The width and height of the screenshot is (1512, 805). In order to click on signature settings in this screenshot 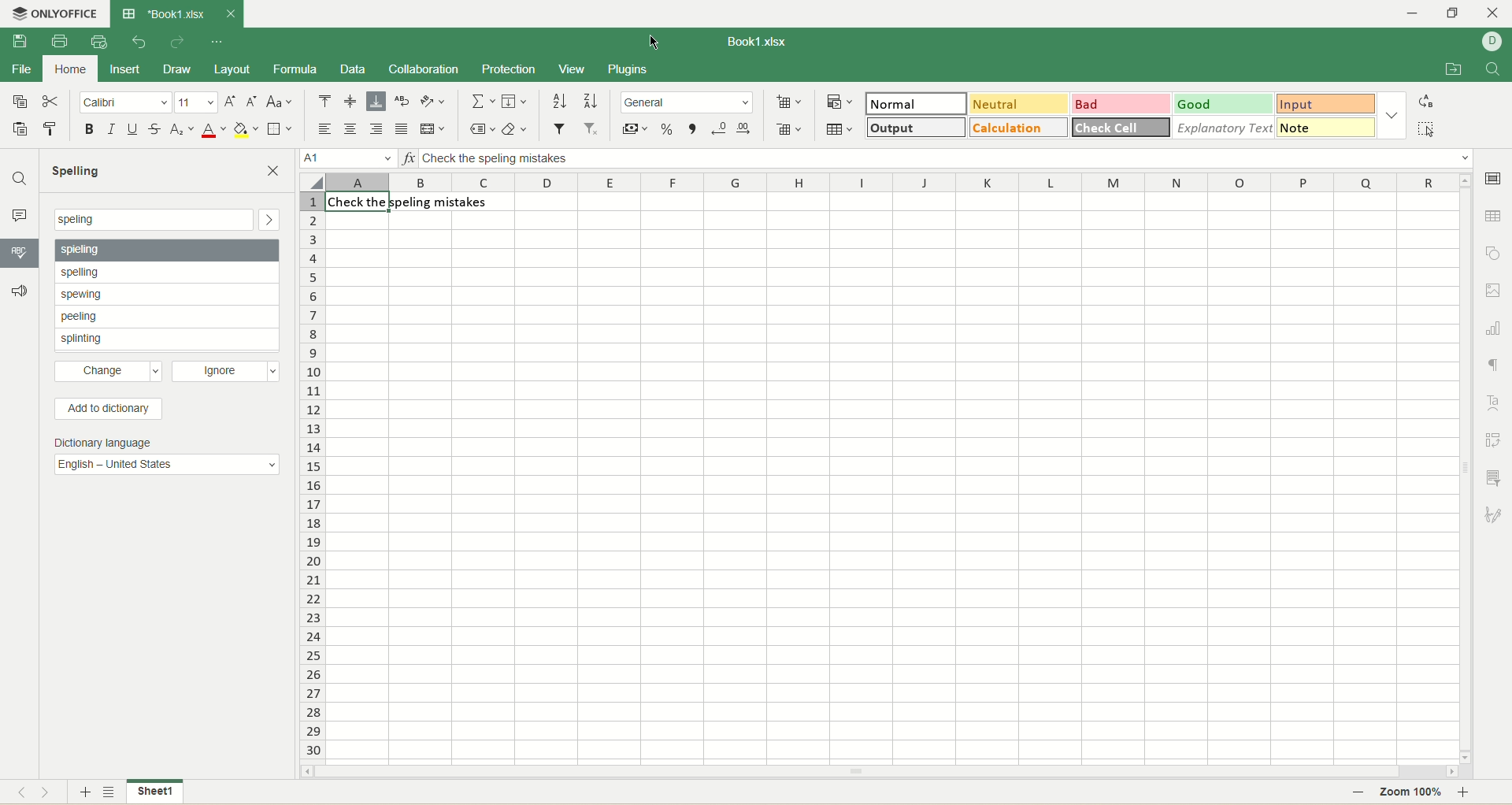, I will do `click(1496, 512)`.